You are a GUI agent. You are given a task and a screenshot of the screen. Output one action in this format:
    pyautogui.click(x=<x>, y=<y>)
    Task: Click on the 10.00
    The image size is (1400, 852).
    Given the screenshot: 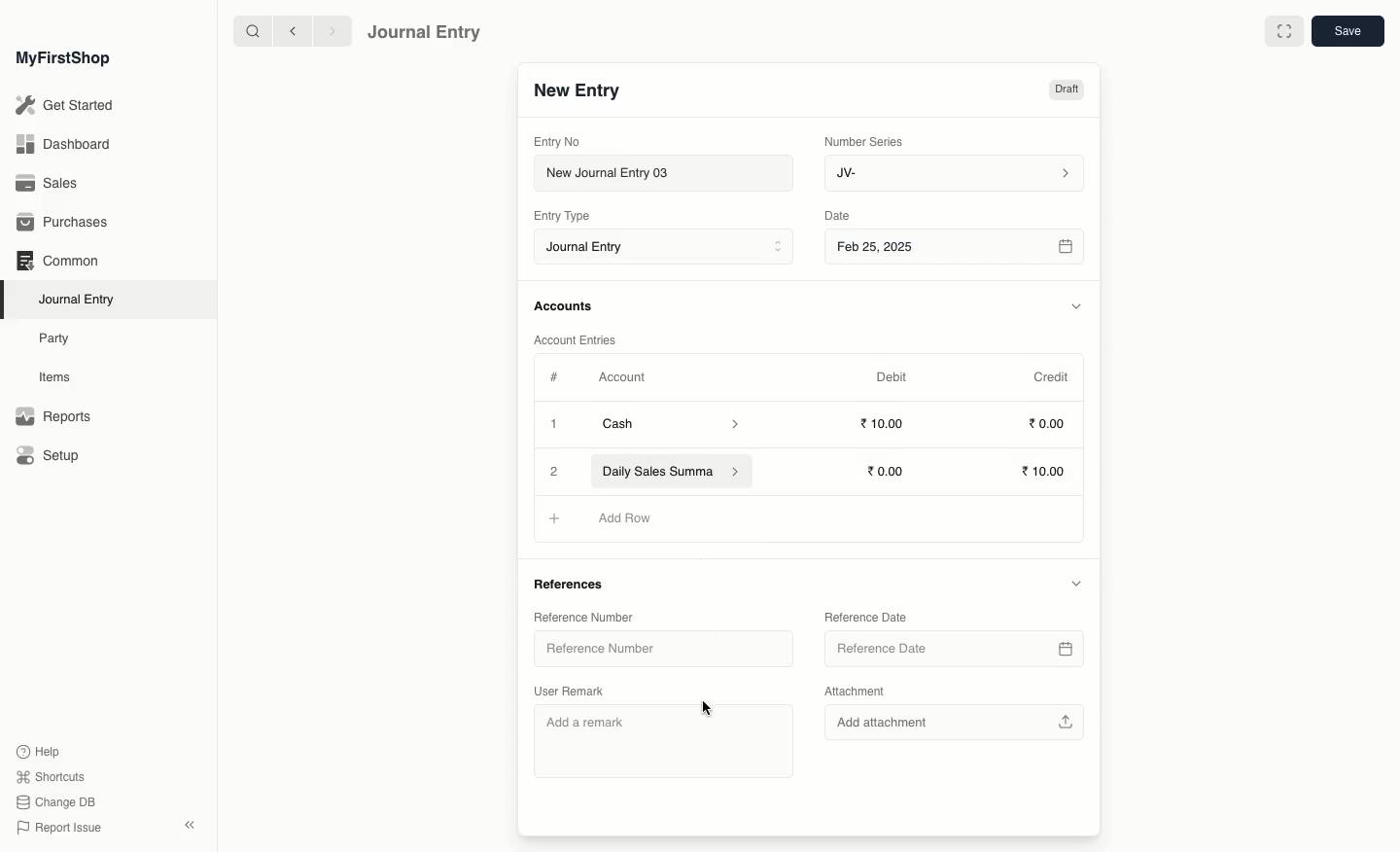 What is the action you would take?
    pyautogui.click(x=888, y=424)
    